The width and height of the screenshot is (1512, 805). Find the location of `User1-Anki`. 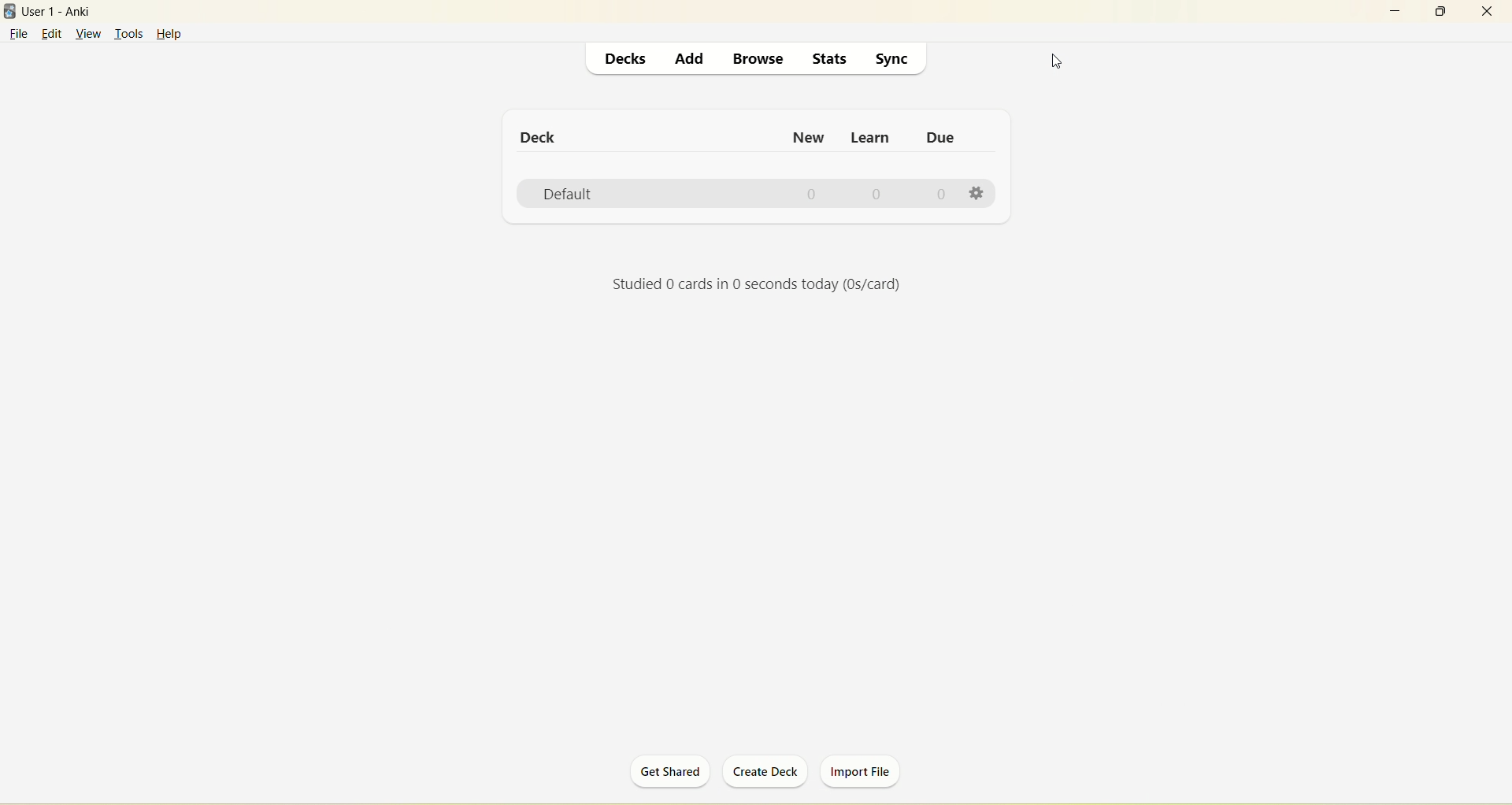

User1-Anki is located at coordinates (66, 13).